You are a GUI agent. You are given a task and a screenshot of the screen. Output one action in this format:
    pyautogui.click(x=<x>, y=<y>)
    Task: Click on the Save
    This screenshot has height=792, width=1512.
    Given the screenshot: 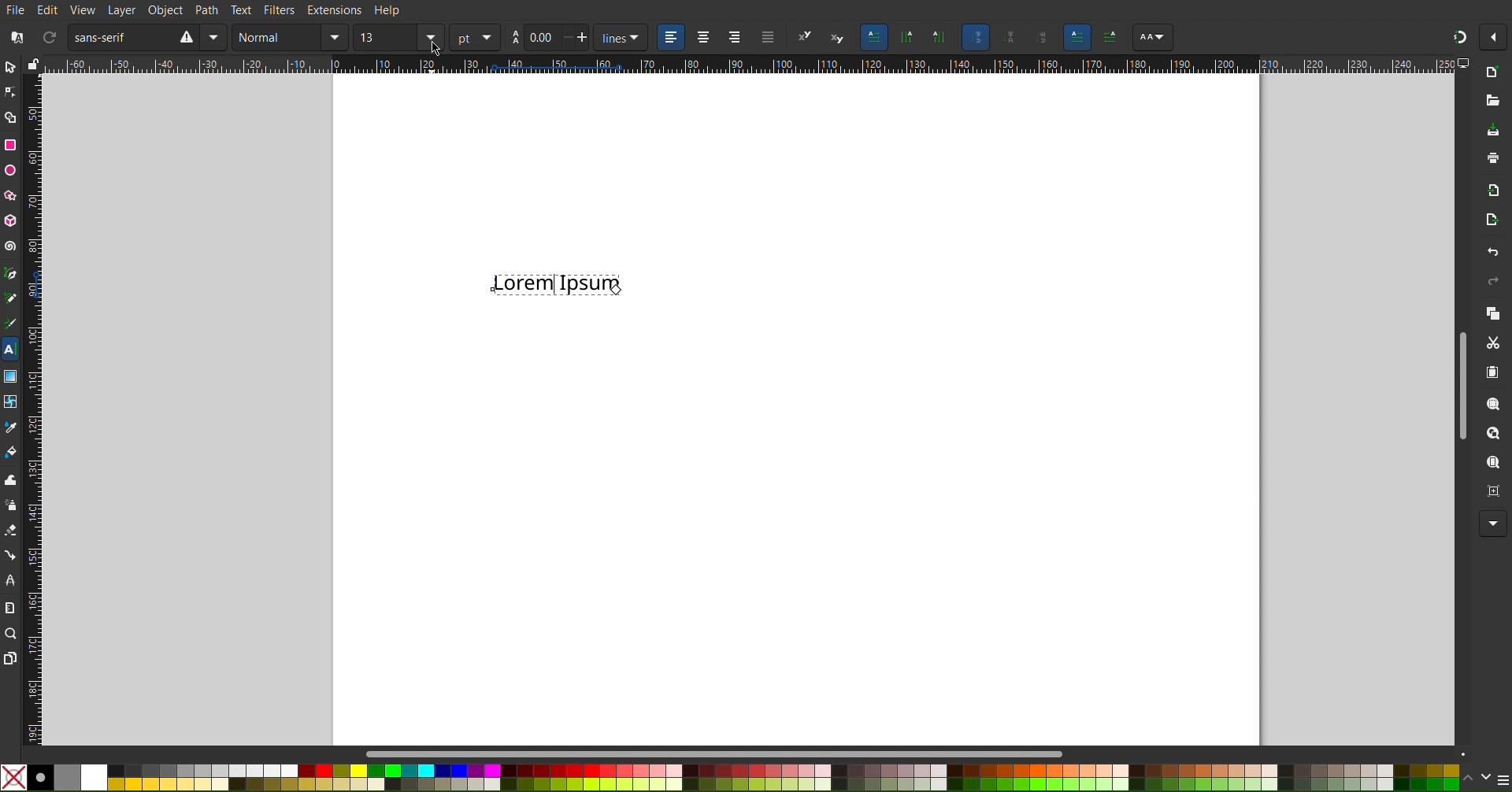 What is the action you would take?
    pyautogui.click(x=1493, y=131)
    